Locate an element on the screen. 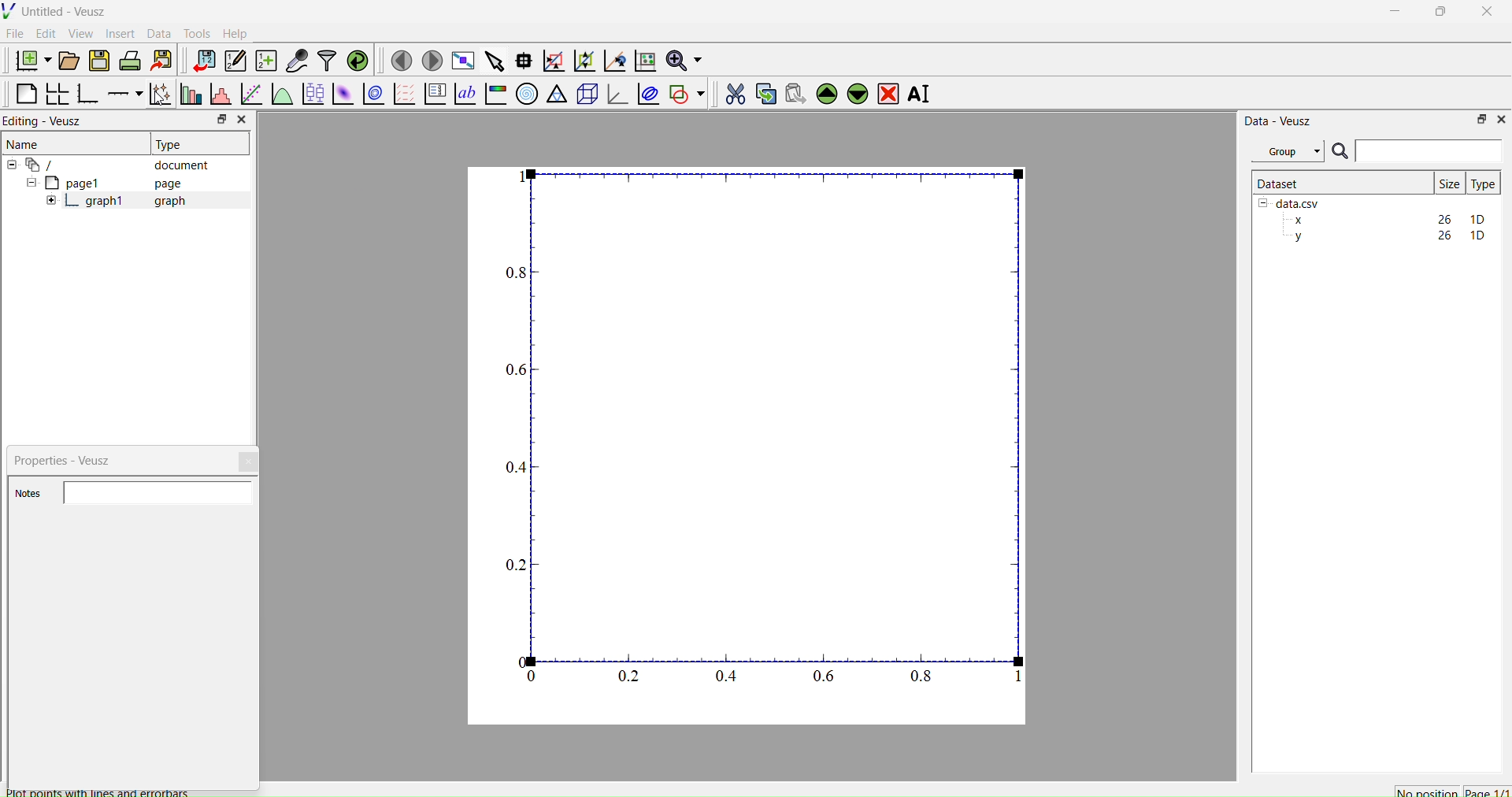 Image resolution: width=1512 pixels, height=797 pixels. Restore down is located at coordinates (218, 120).